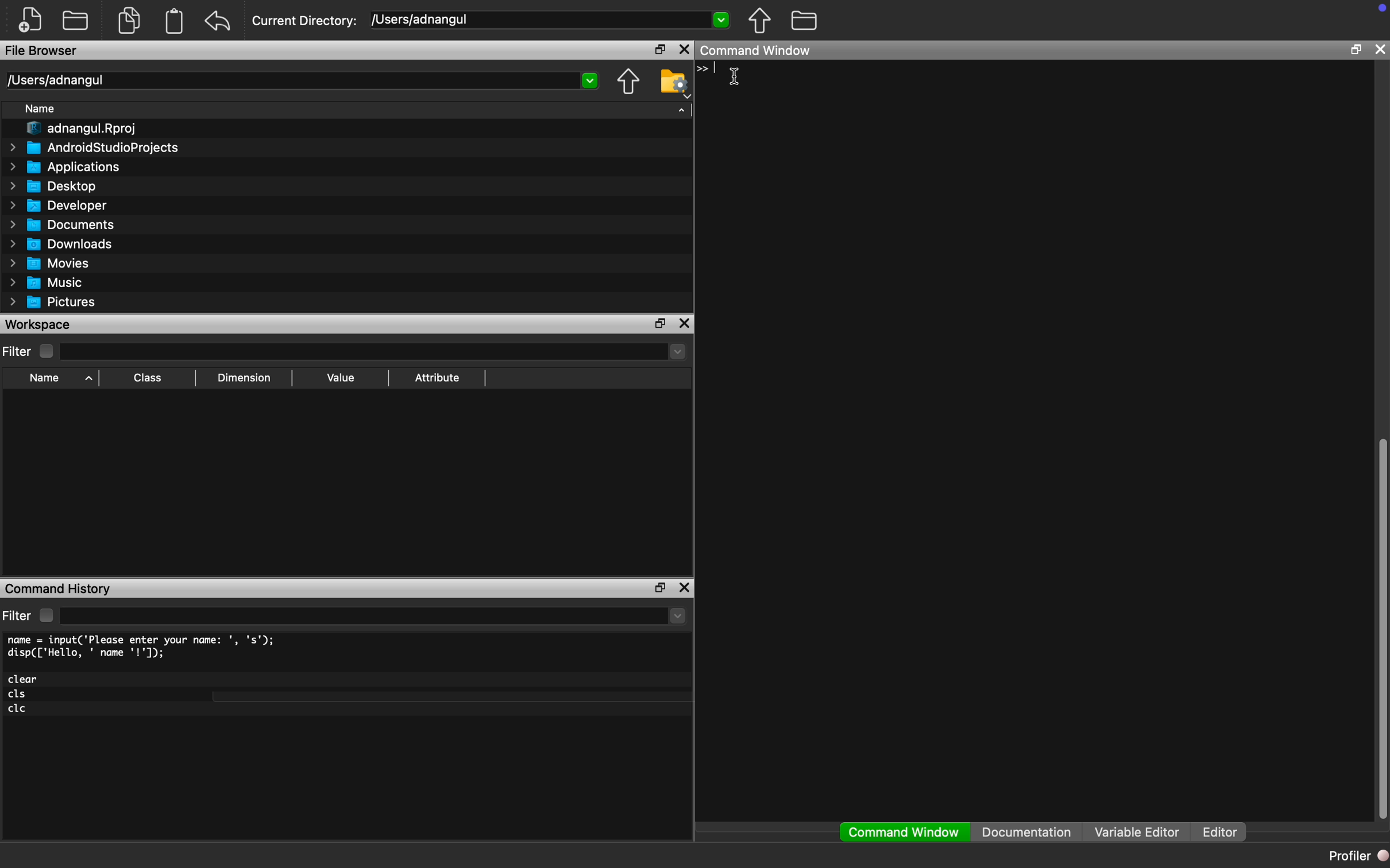 The height and width of the screenshot is (868, 1390). What do you see at coordinates (755, 51) in the screenshot?
I see `Command Window` at bounding box center [755, 51].